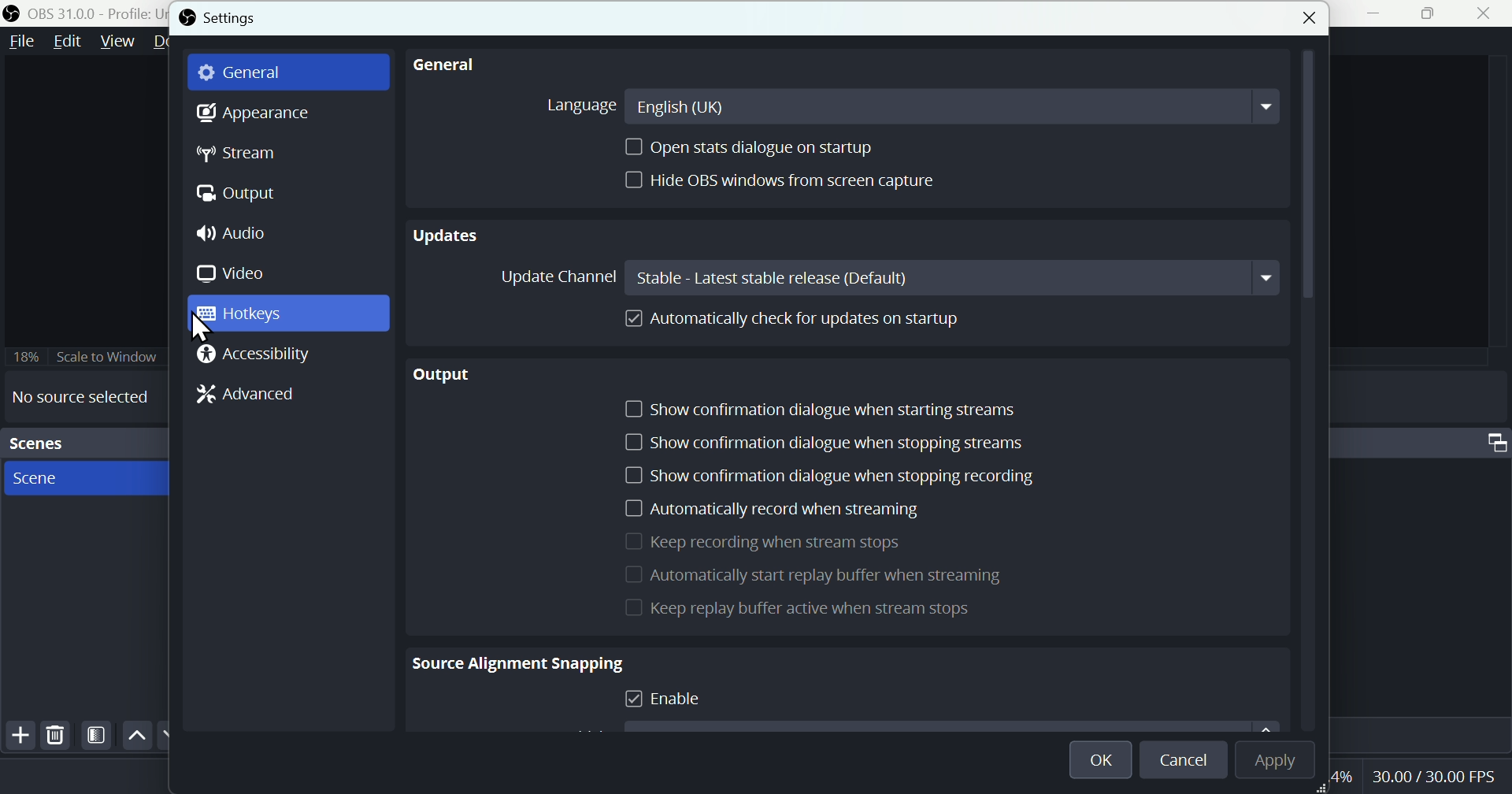 Image resolution: width=1512 pixels, height=794 pixels. Describe the element at coordinates (239, 398) in the screenshot. I see `Advanced` at that location.